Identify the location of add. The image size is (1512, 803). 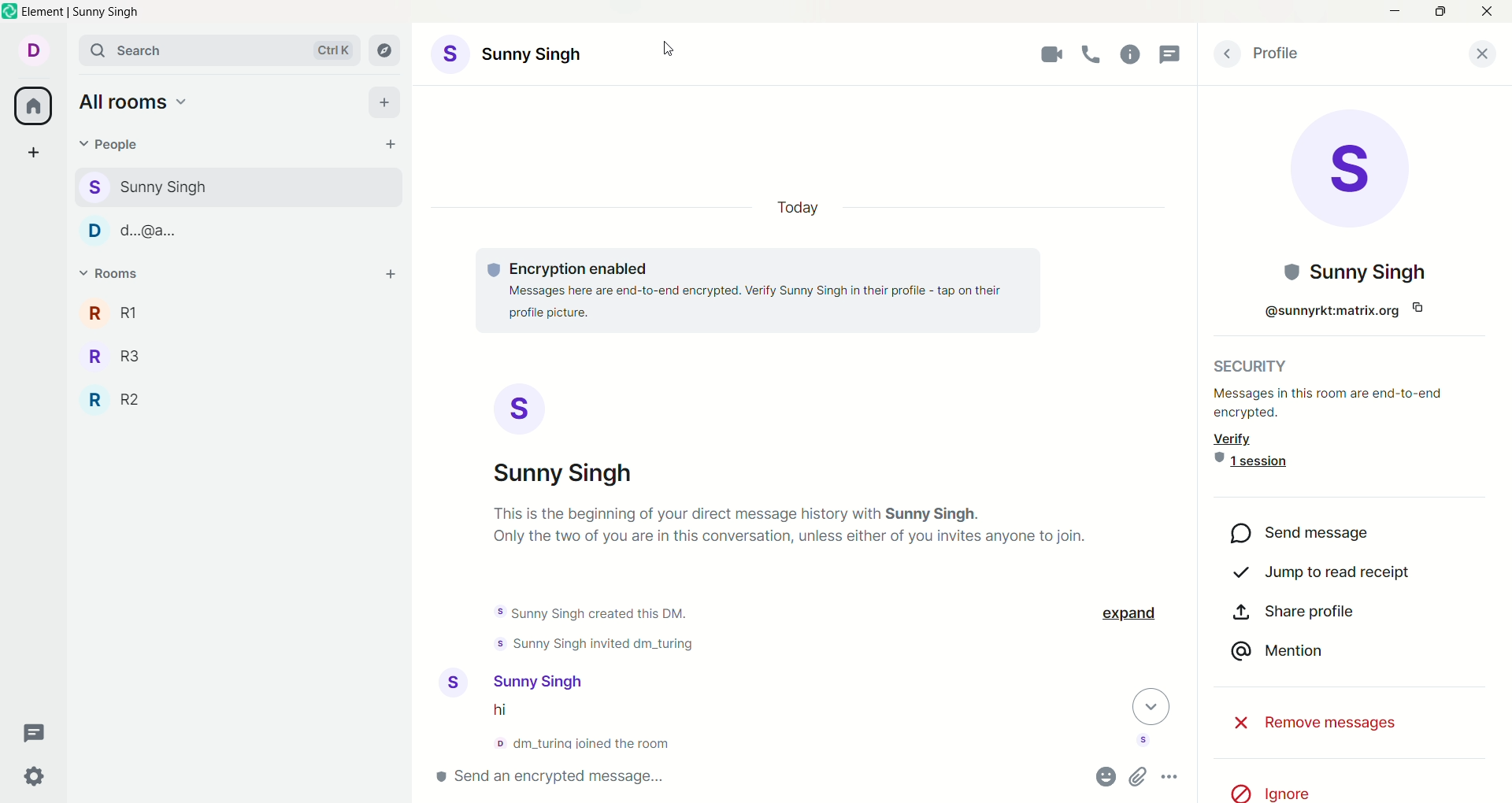
(392, 276).